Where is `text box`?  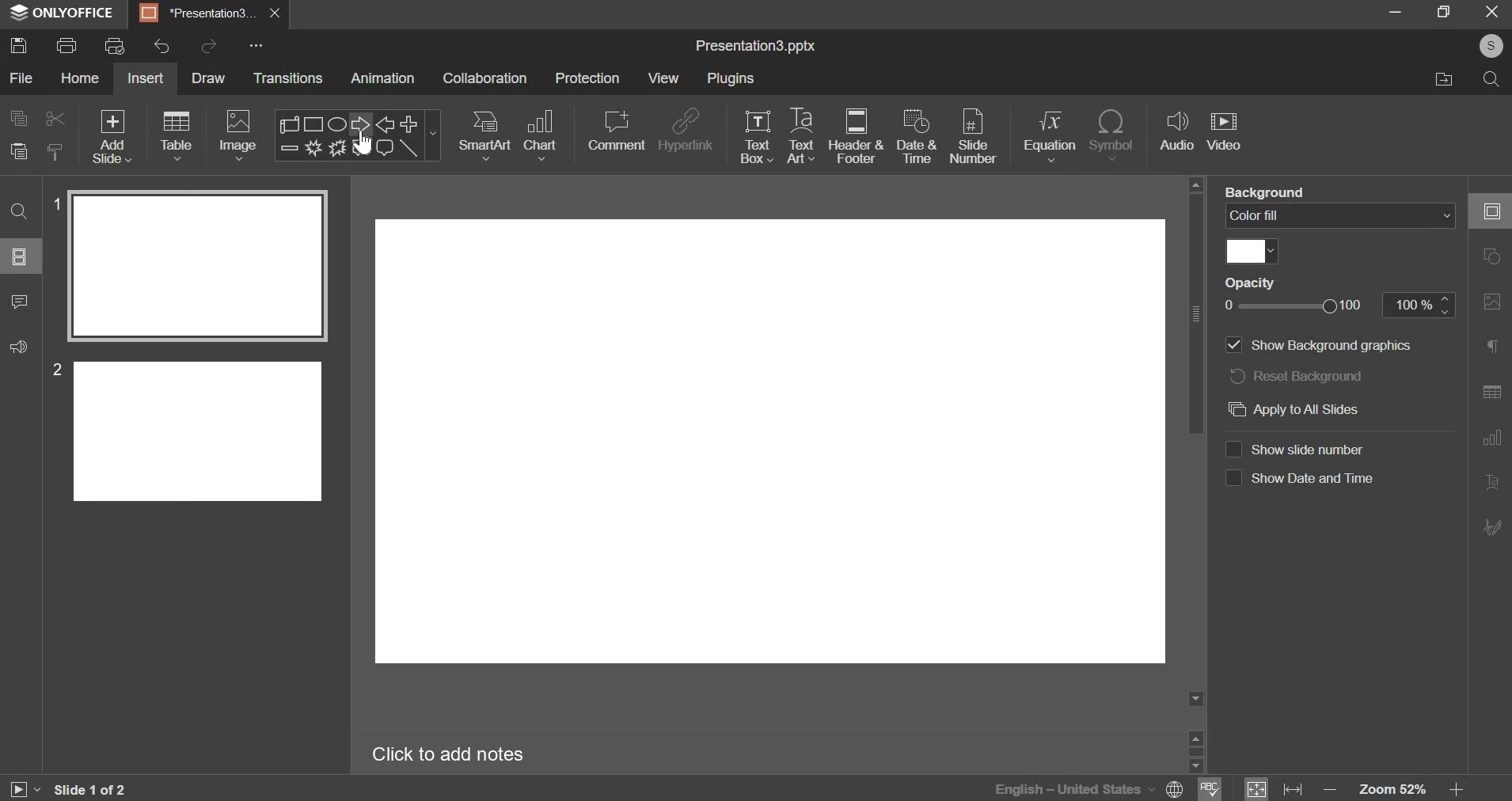 text box is located at coordinates (757, 137).